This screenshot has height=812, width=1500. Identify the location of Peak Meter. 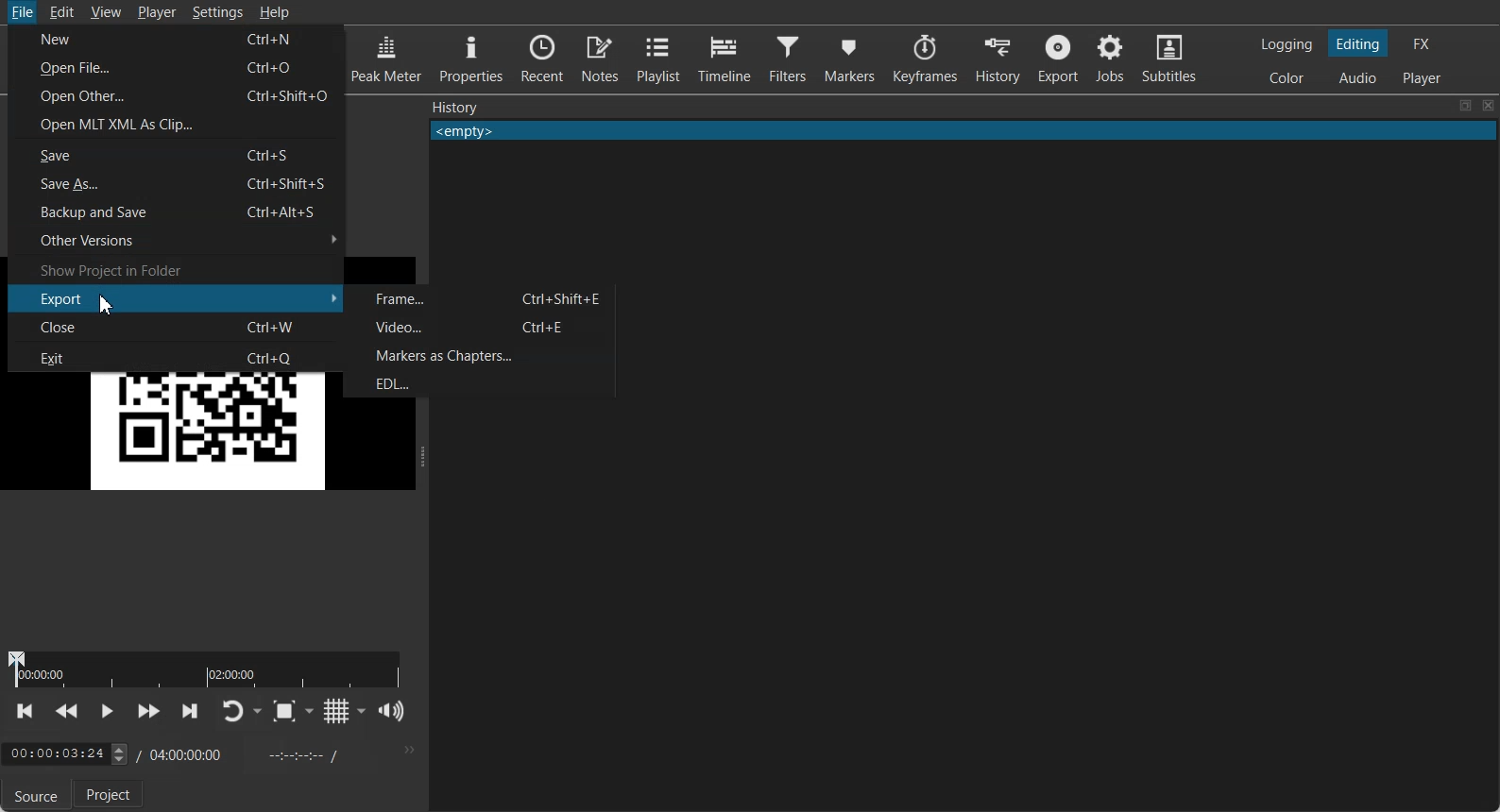
(386, 57).